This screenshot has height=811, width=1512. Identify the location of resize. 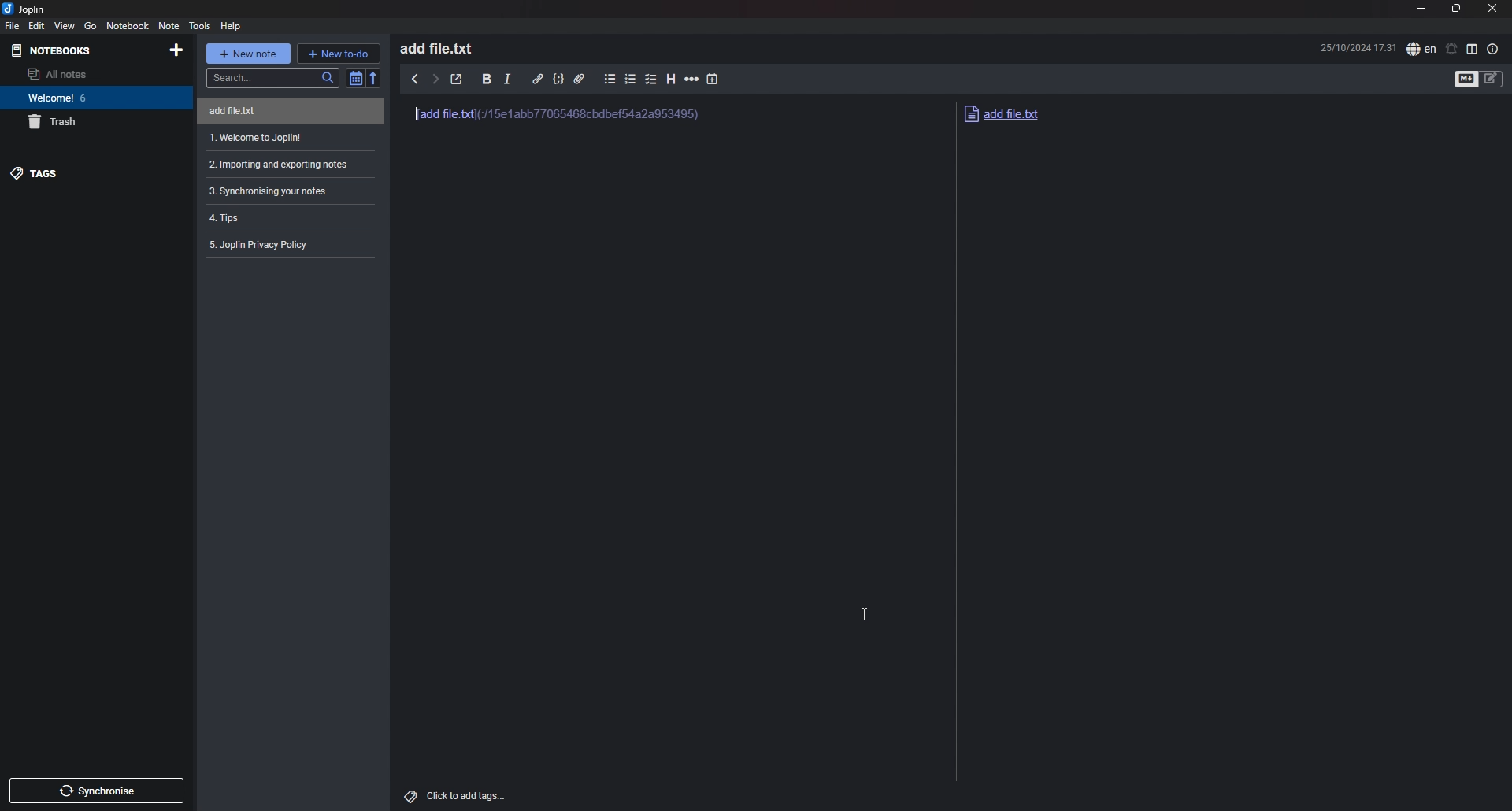
(1458, 8).